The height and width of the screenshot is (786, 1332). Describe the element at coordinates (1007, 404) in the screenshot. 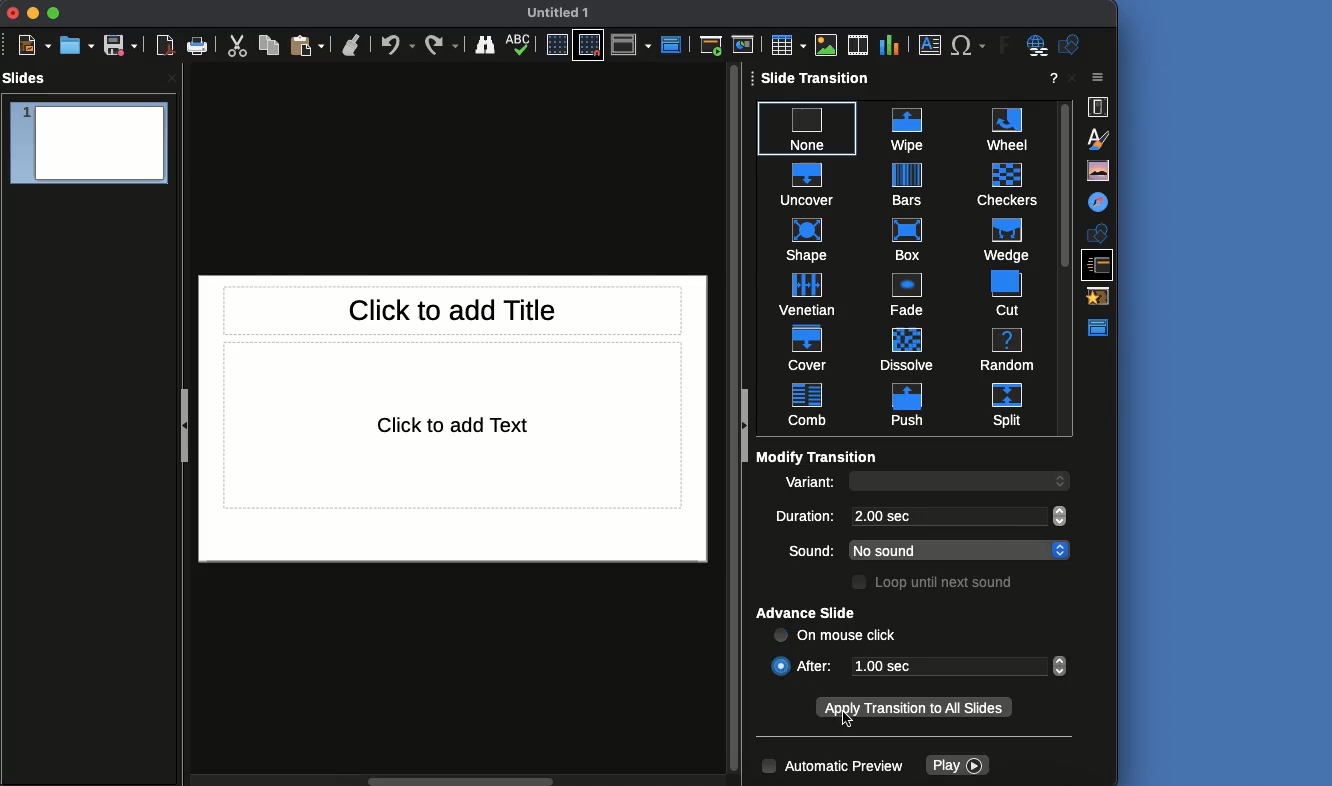

I see `split` at that location.